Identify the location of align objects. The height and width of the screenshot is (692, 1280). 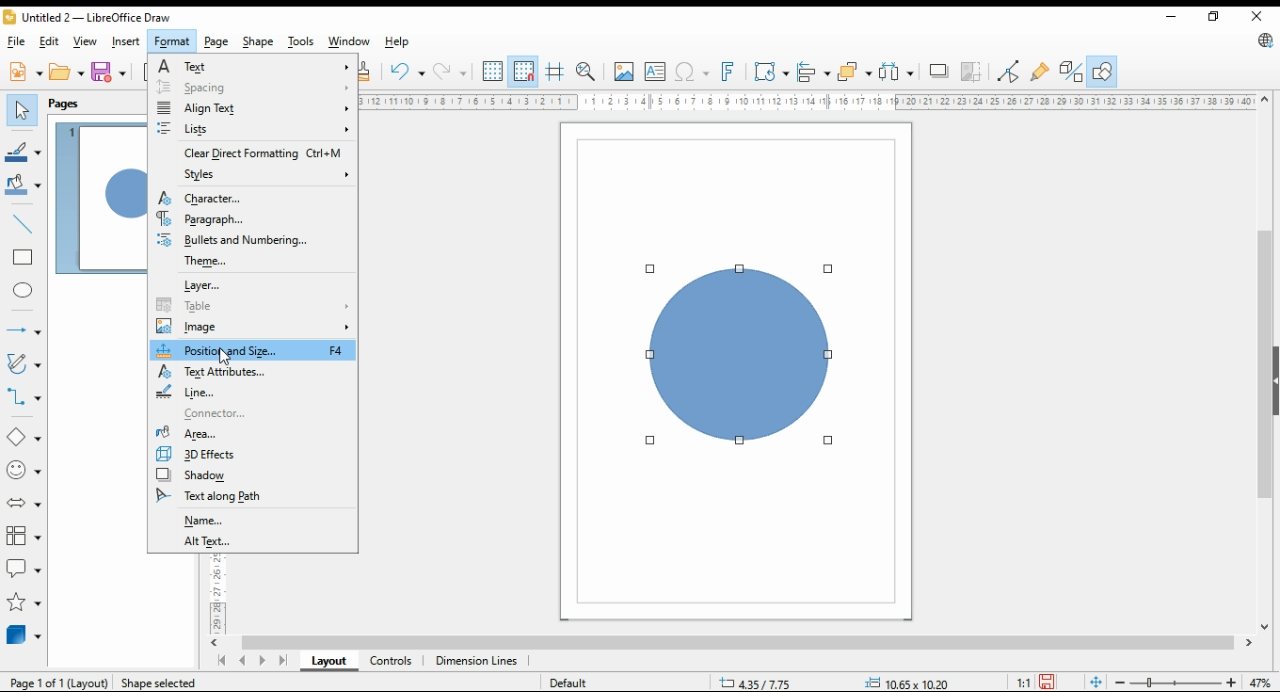
(813, 73).